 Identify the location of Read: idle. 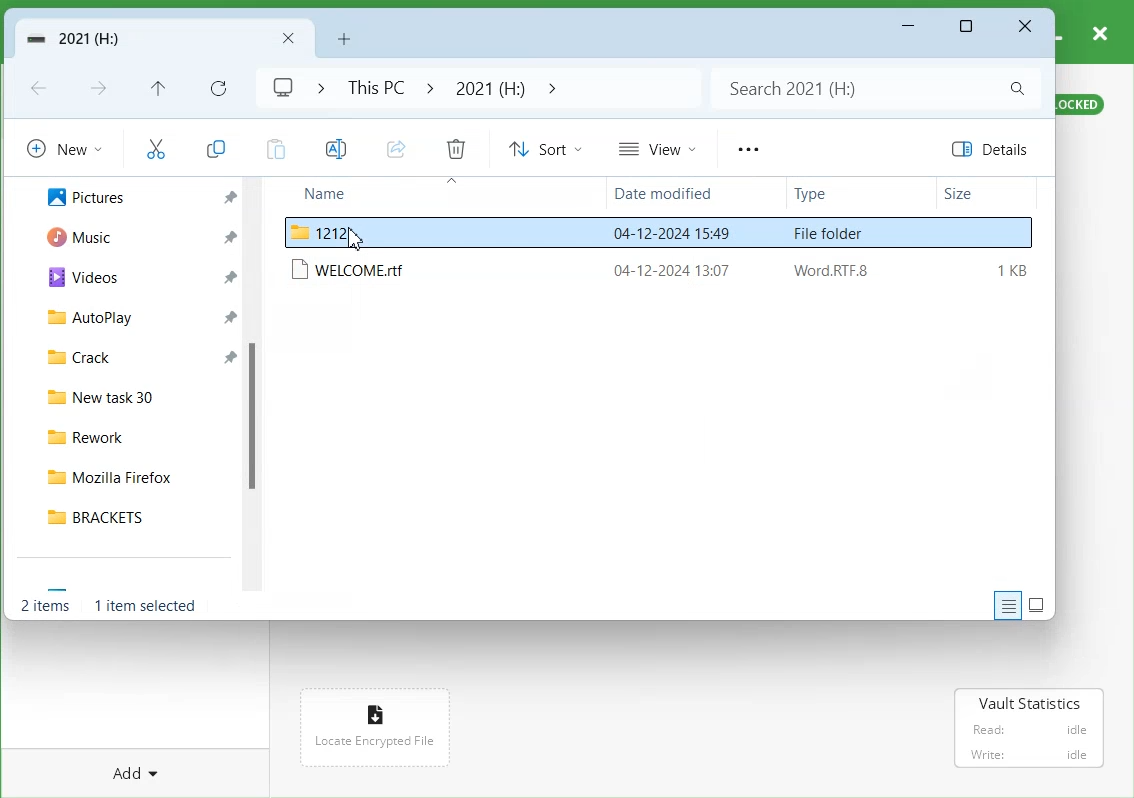
(1028, 730).